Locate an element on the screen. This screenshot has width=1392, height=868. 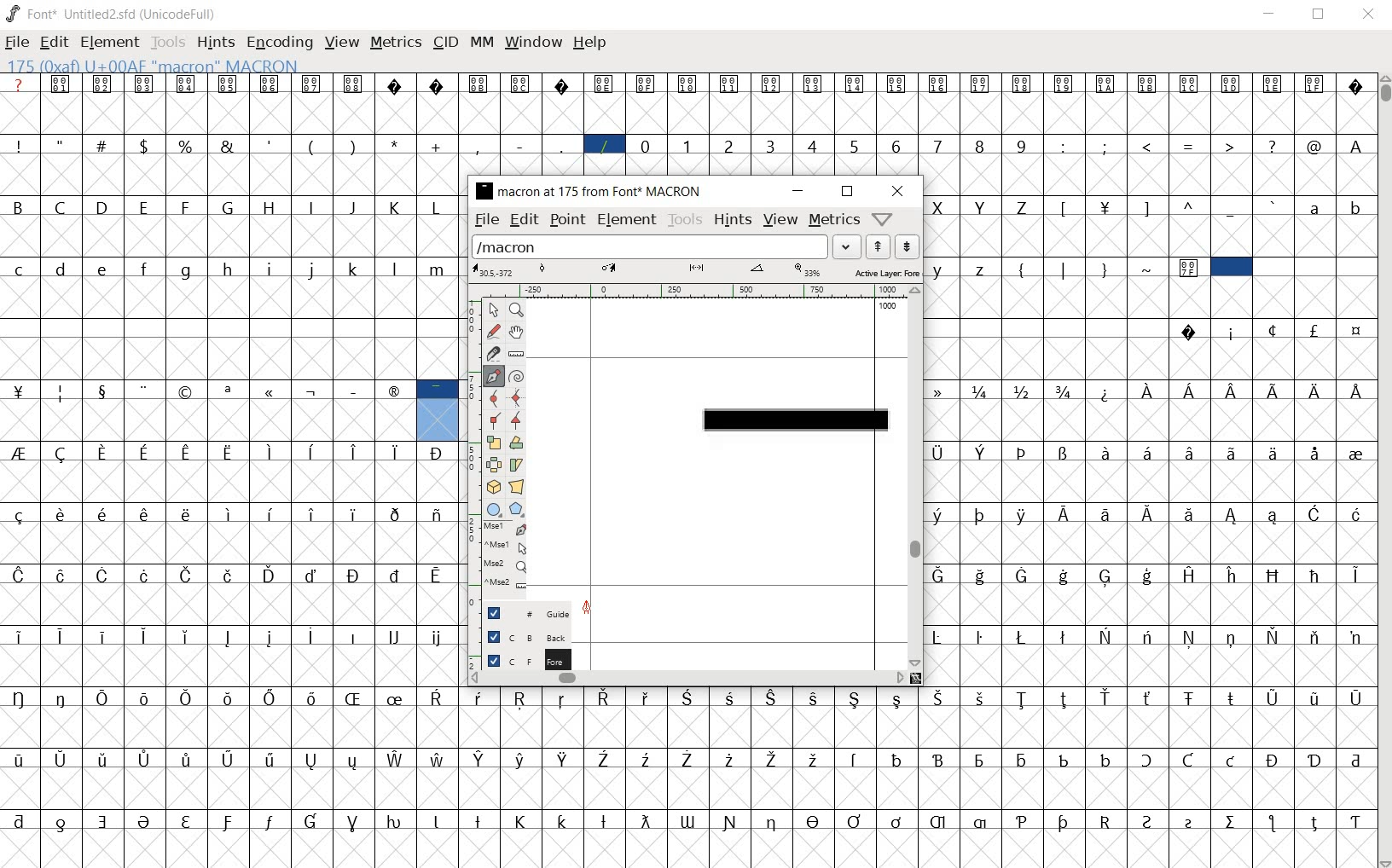
Symbol is located at coordinates (731, 758).